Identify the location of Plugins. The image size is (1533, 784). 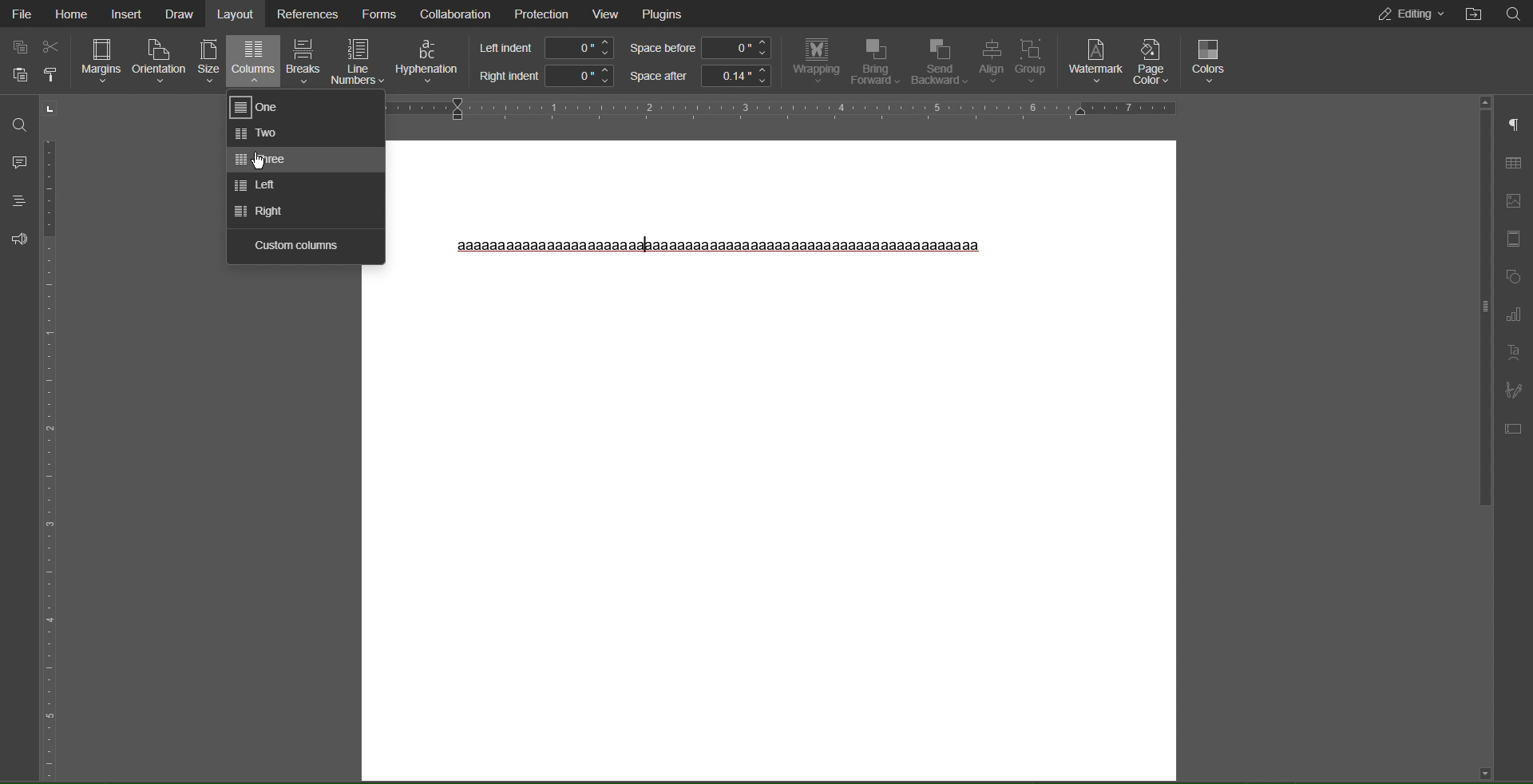
(666, 14).